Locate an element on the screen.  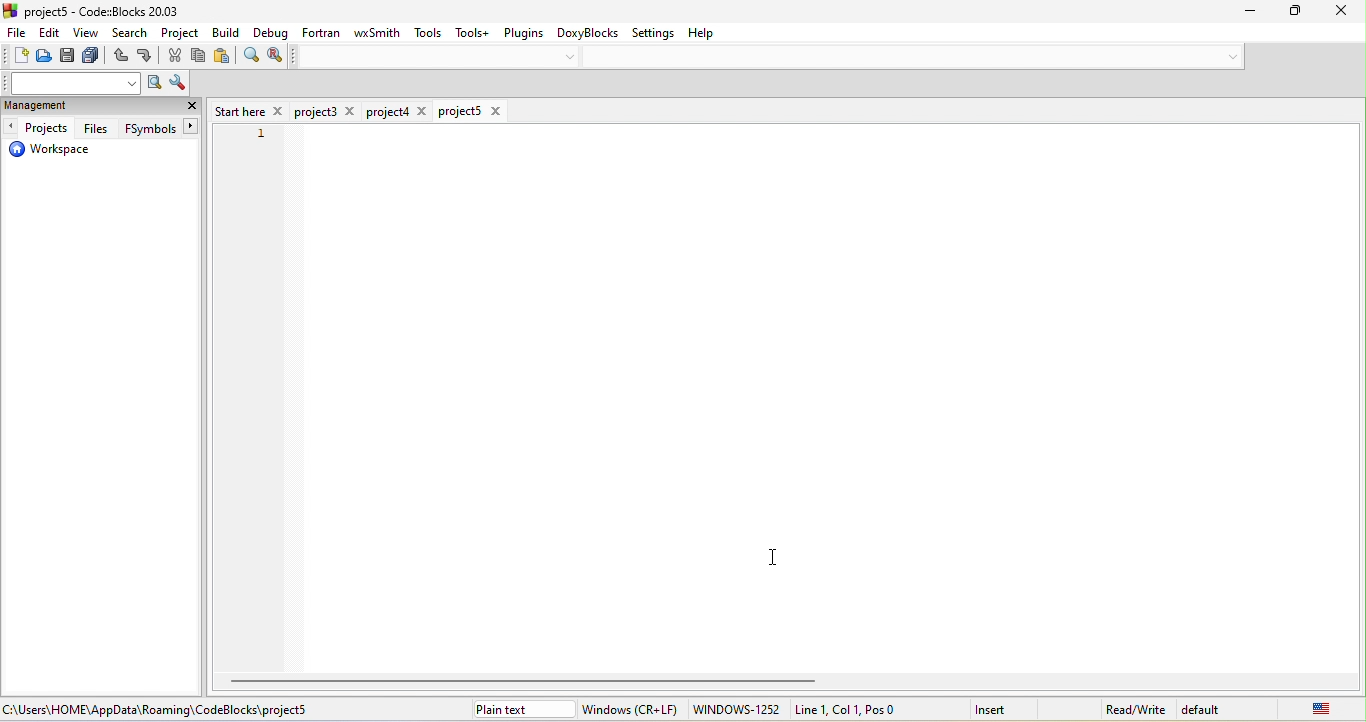
plain text is located at coordinates (521, 709).